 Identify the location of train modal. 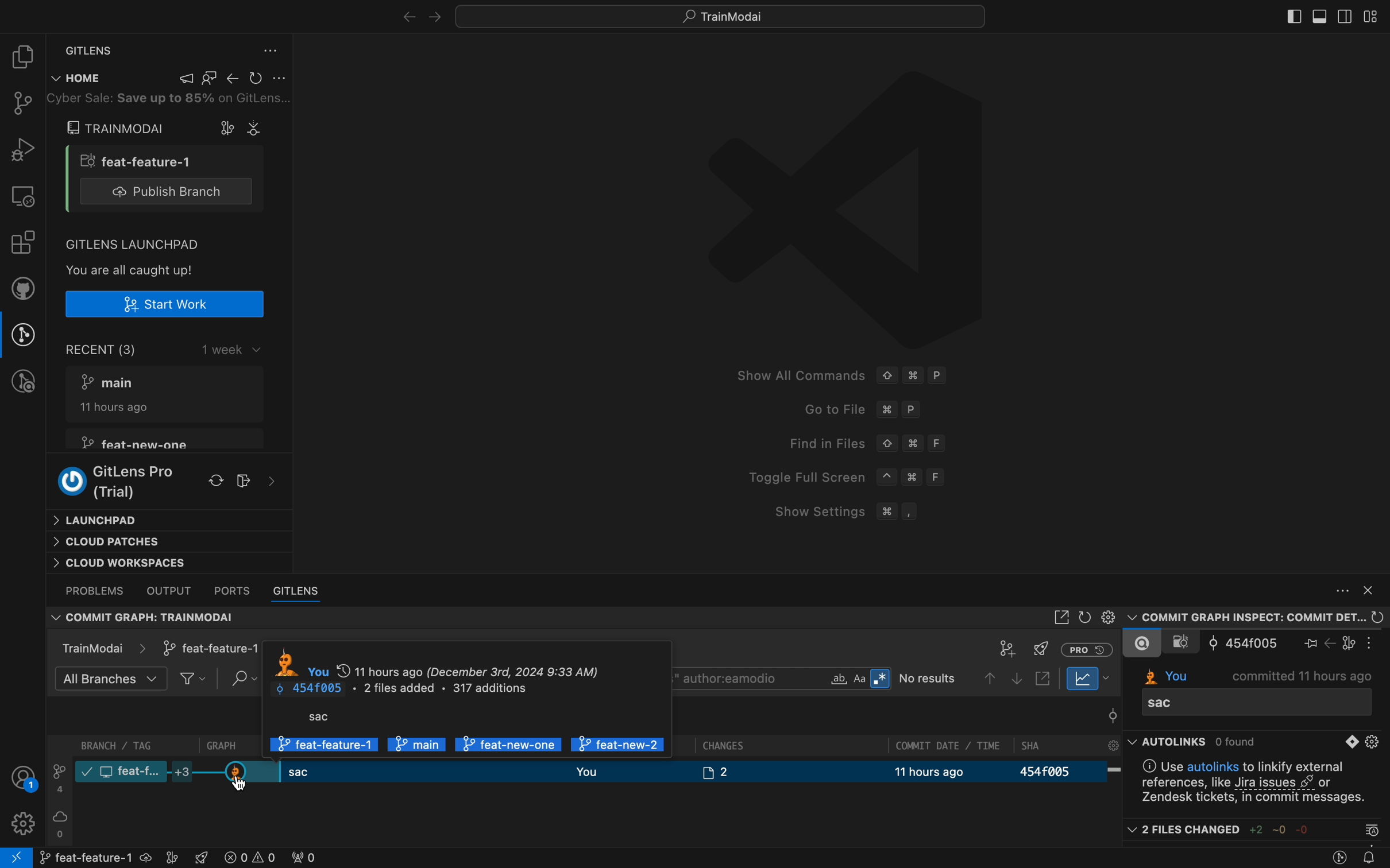
(118, 128).